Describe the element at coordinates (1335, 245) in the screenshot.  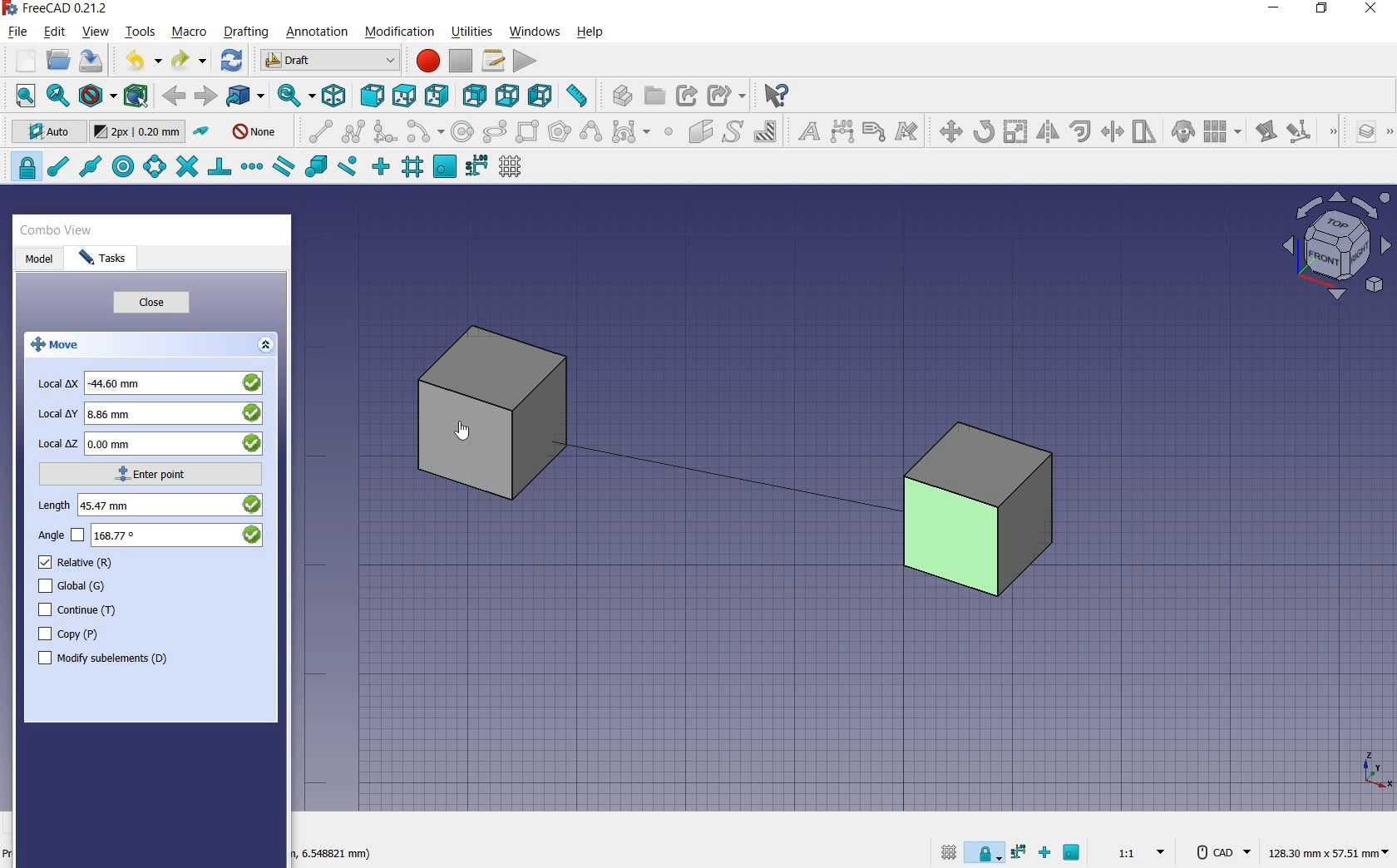
I see `view plane options` at that location.